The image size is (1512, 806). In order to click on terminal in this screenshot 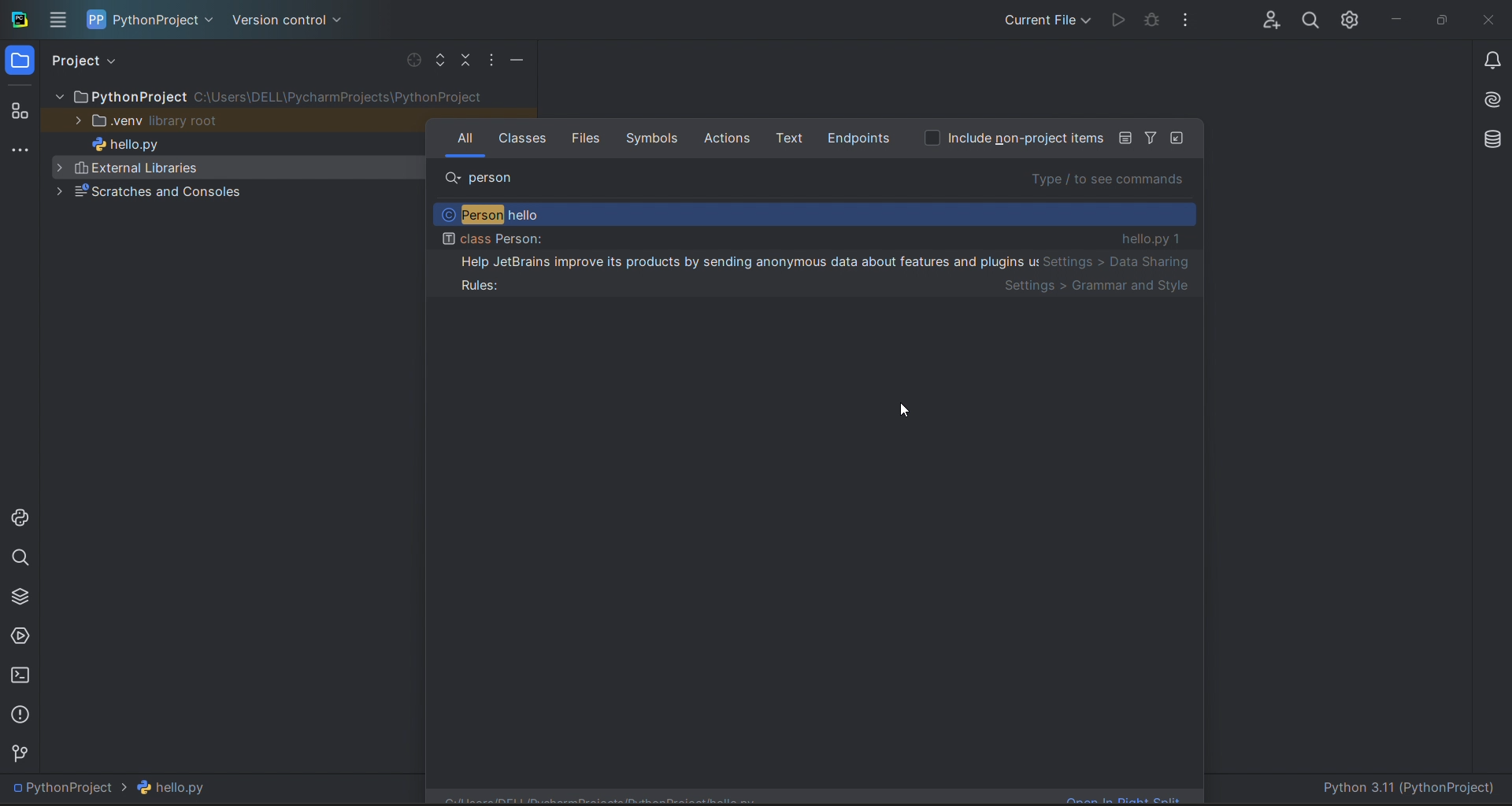, I will do `click(20, 676)`.